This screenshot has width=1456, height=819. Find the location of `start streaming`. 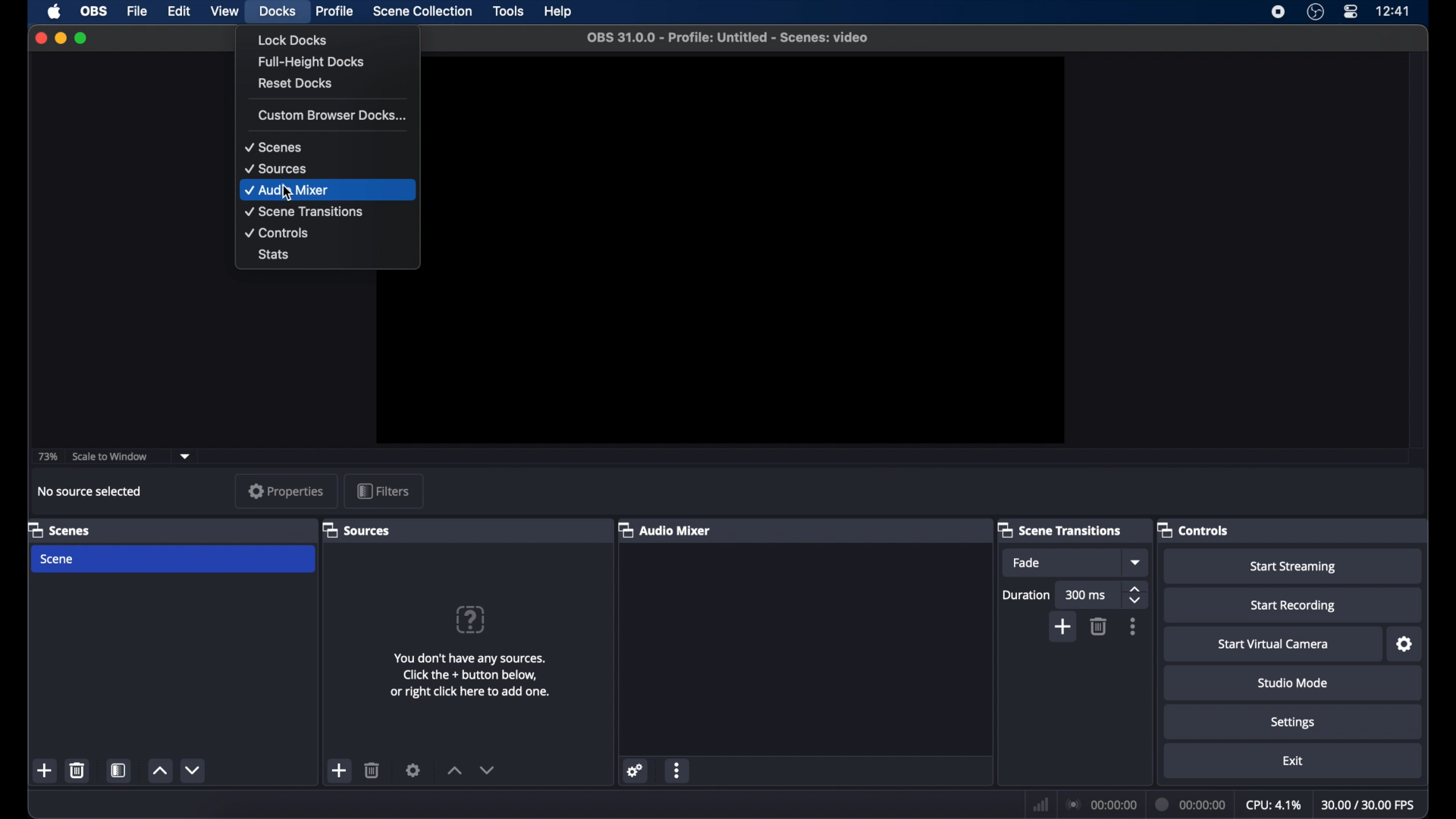

start streaming is located at coordinates (1293, 566).